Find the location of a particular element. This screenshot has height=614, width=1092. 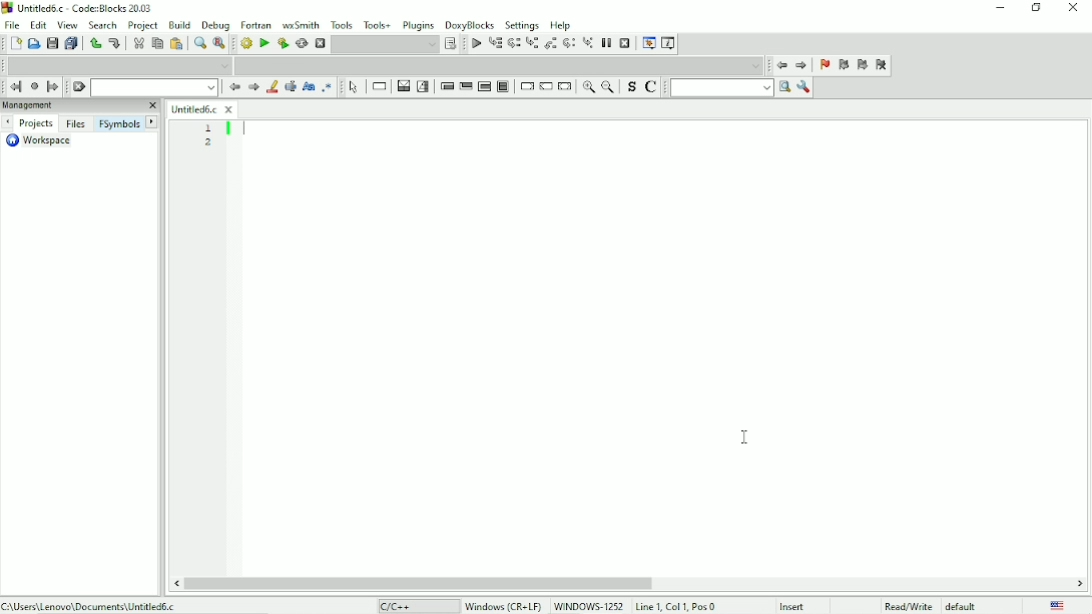

Build and run is located at coordinates (282, 43).